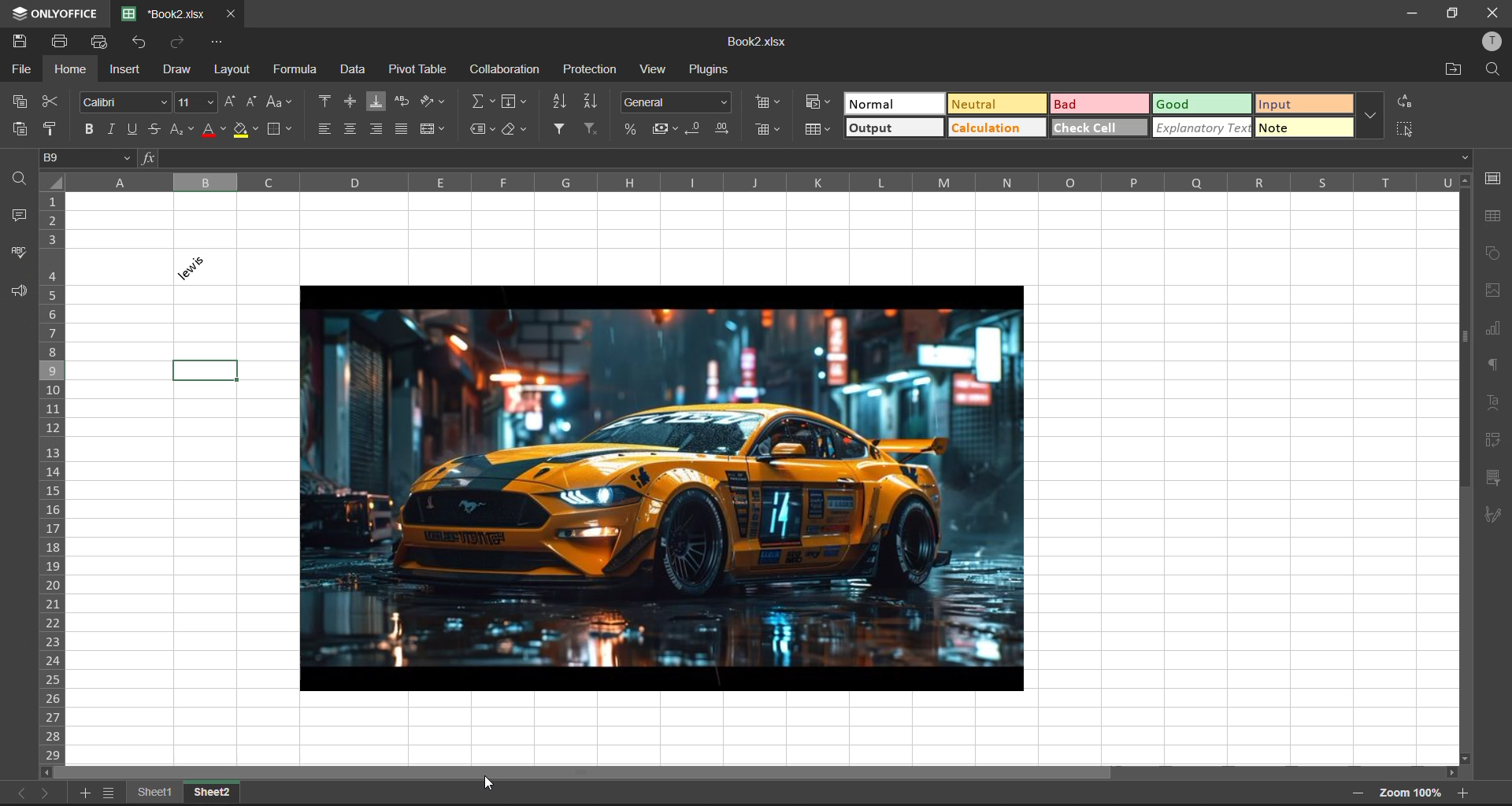  Describe the element at coordinates (54, 102) in the screenshot. I see `cut` at that location.